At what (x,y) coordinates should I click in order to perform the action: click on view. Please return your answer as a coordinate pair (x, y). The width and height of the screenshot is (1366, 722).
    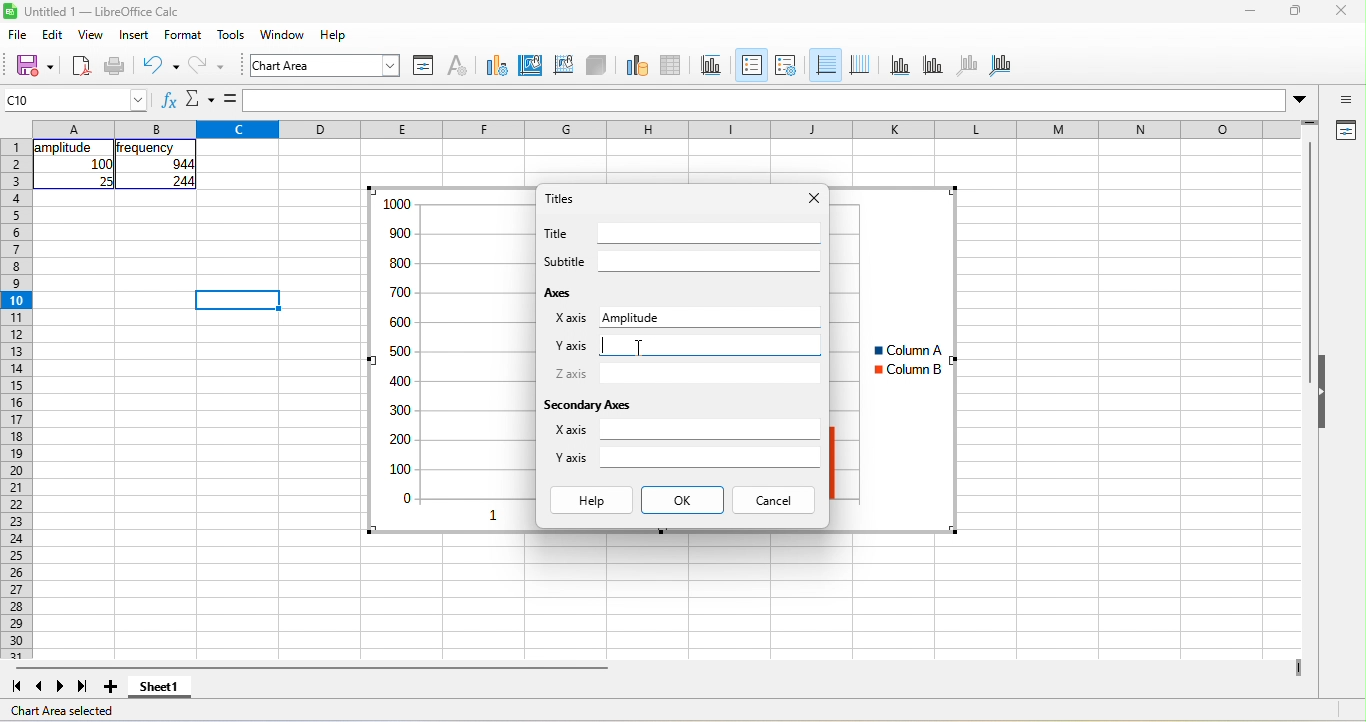
    Looking at the image, I should click on (92, 34).